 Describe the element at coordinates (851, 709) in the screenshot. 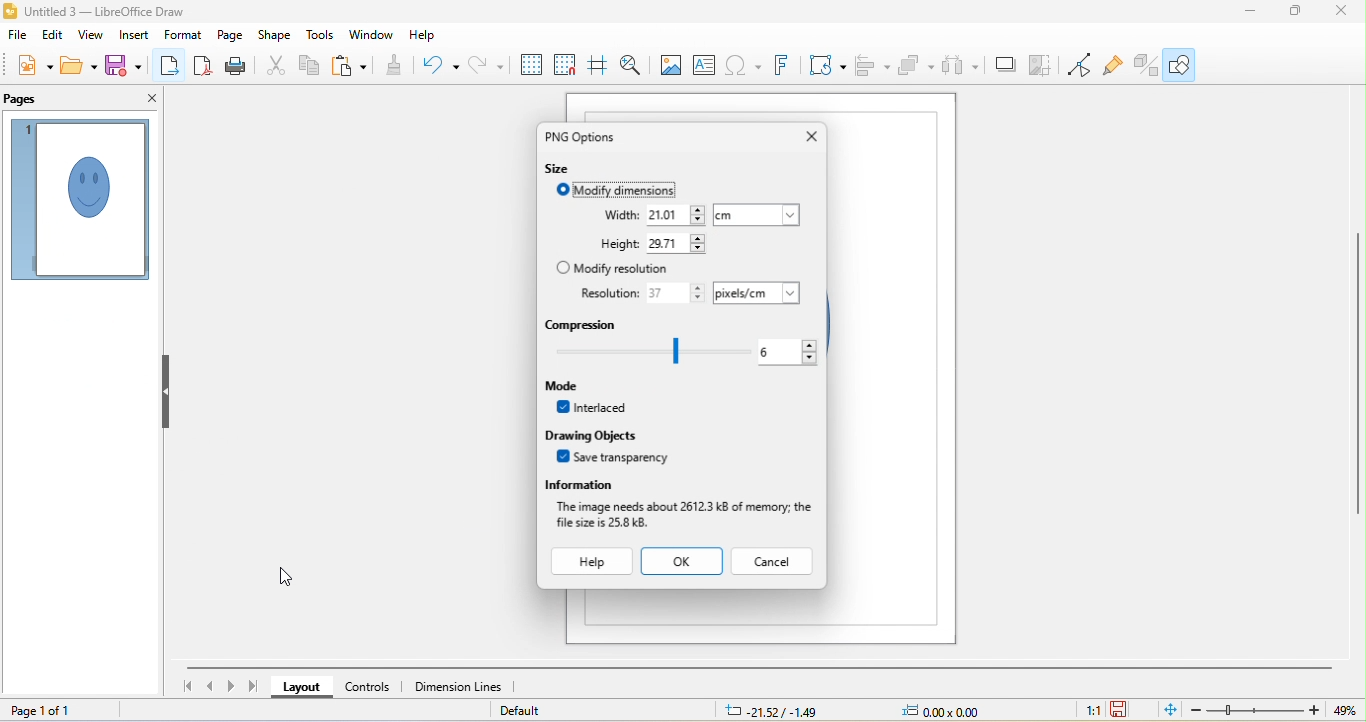

I see `cursor and object position` at that location.